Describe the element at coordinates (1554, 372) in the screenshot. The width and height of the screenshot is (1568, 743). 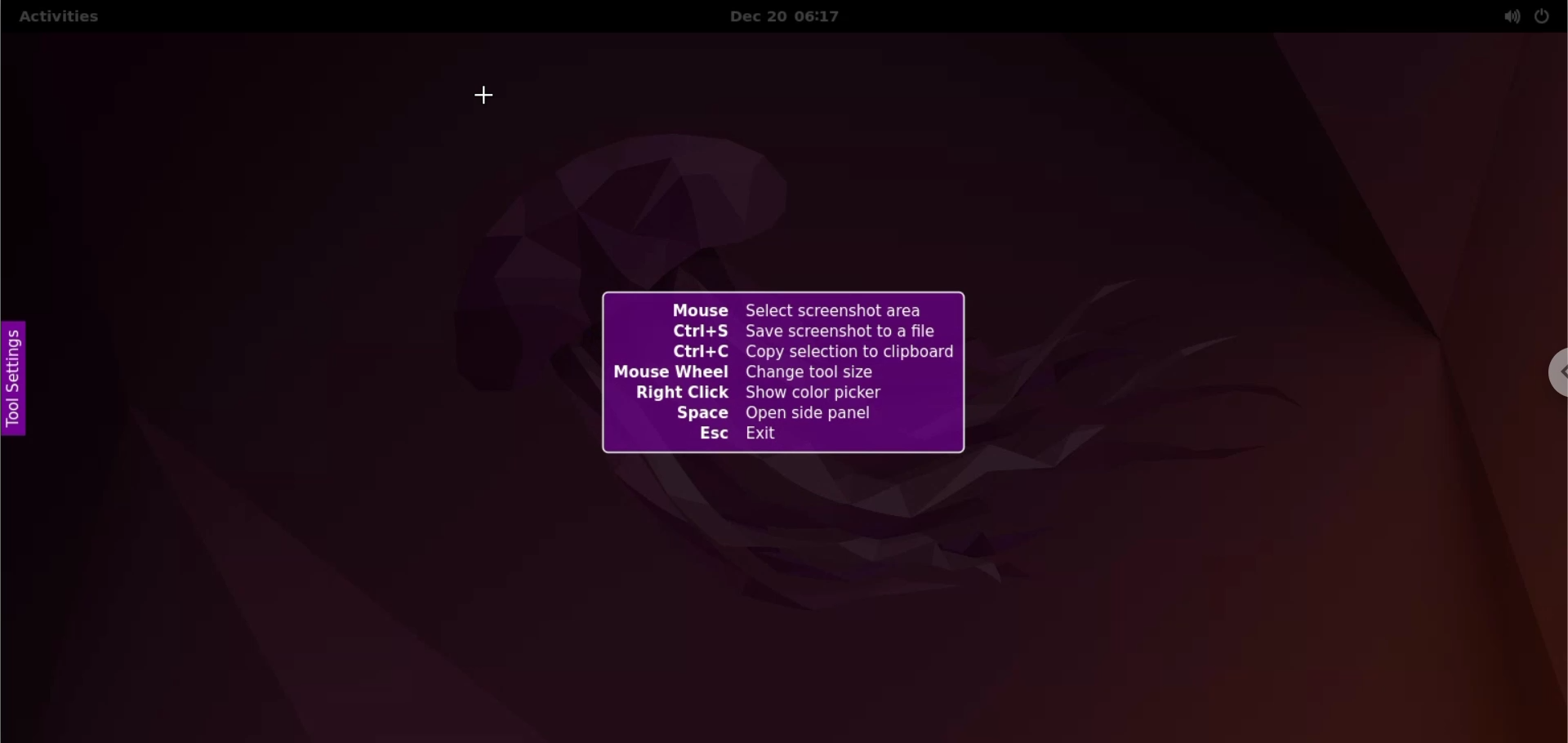
I see `chrome options` at that location.